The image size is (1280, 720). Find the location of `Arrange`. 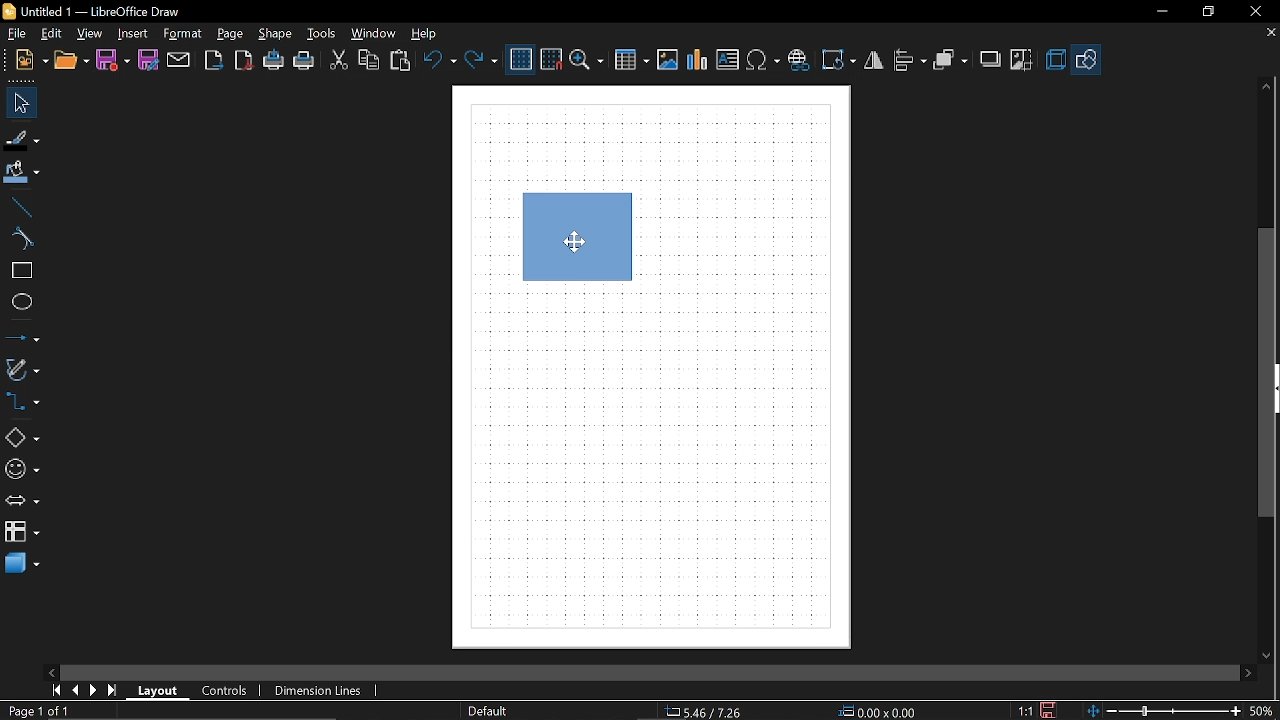

Arrange is located at coordinates (950, 62).